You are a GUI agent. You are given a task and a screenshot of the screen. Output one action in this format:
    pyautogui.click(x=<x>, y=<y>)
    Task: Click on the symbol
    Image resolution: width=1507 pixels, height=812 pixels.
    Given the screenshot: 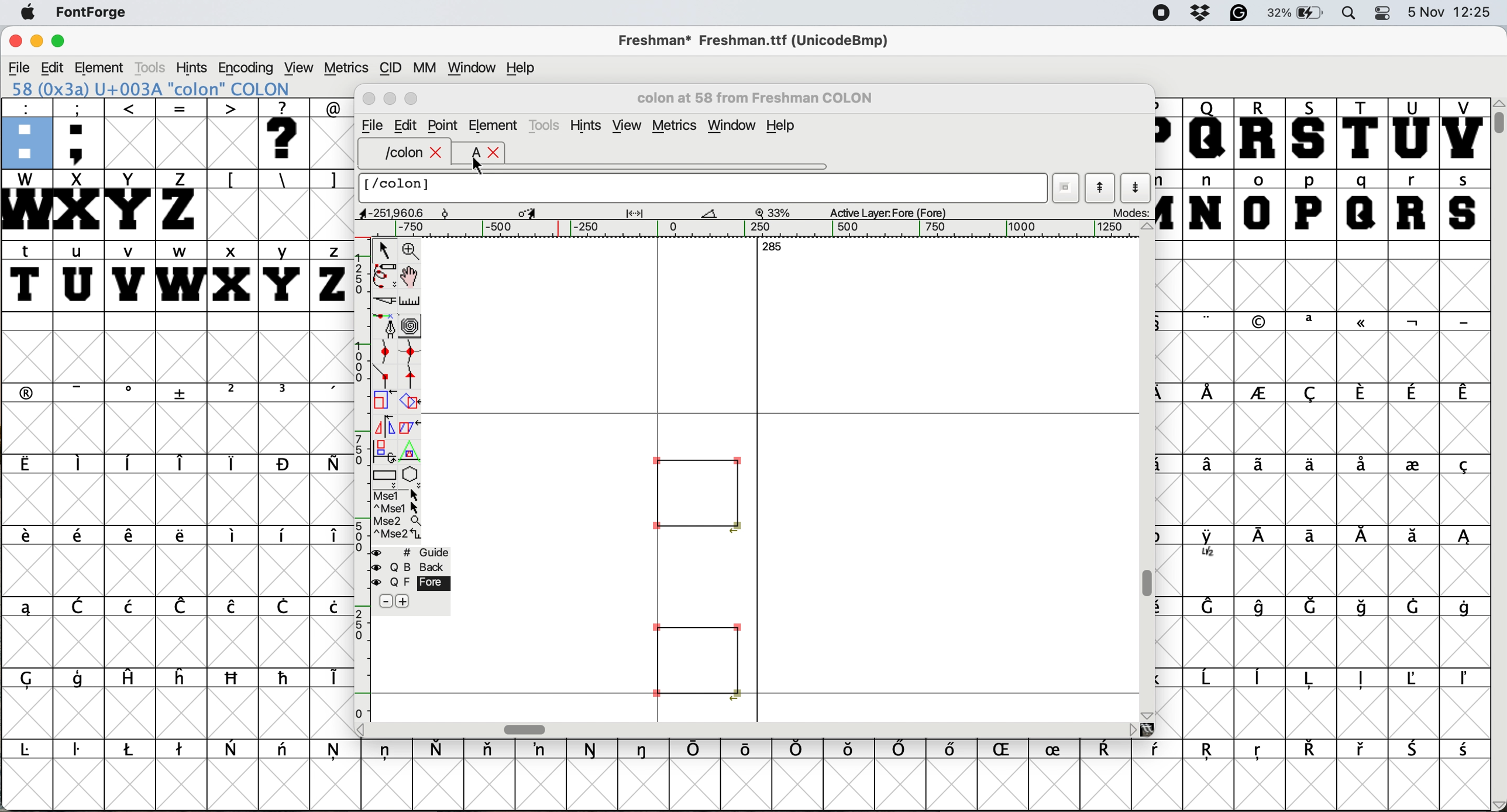 What is the action you would take?
    pyautogui.click(x=1412, y=606)
    